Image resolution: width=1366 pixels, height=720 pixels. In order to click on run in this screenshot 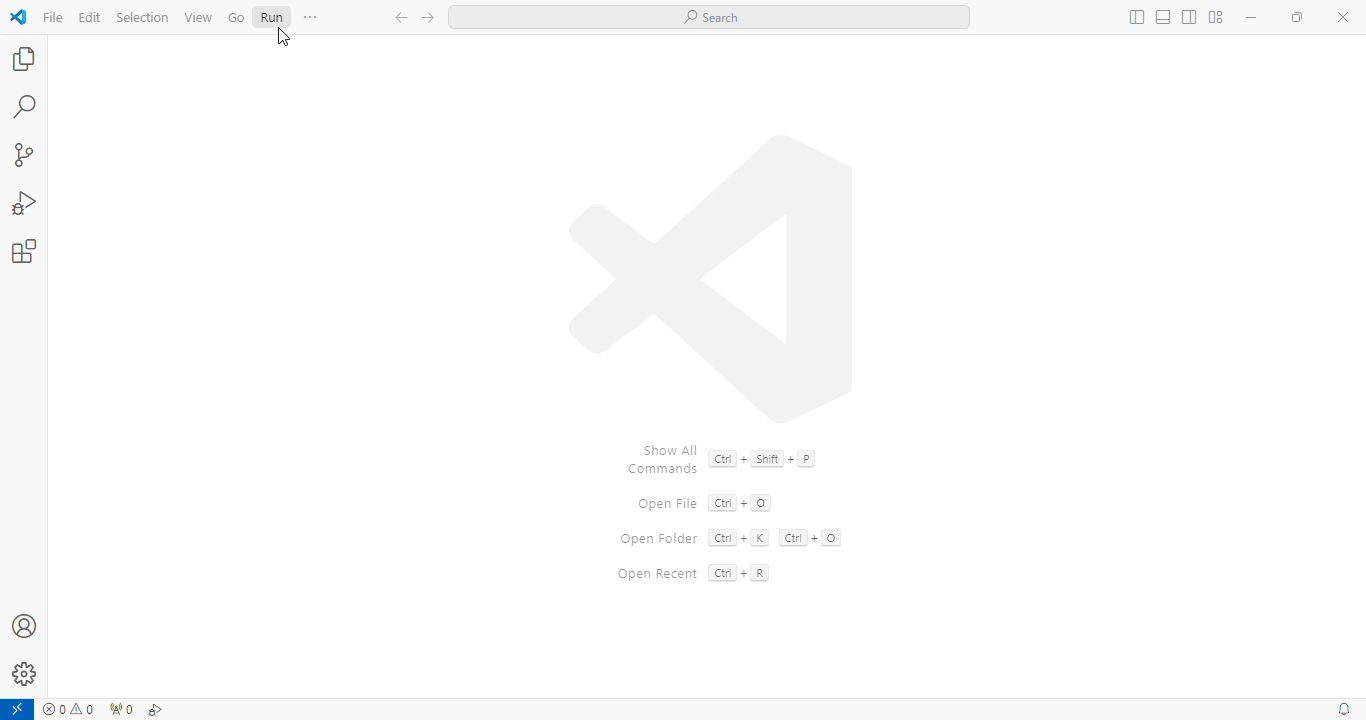, I will do `click(271, 16)`.